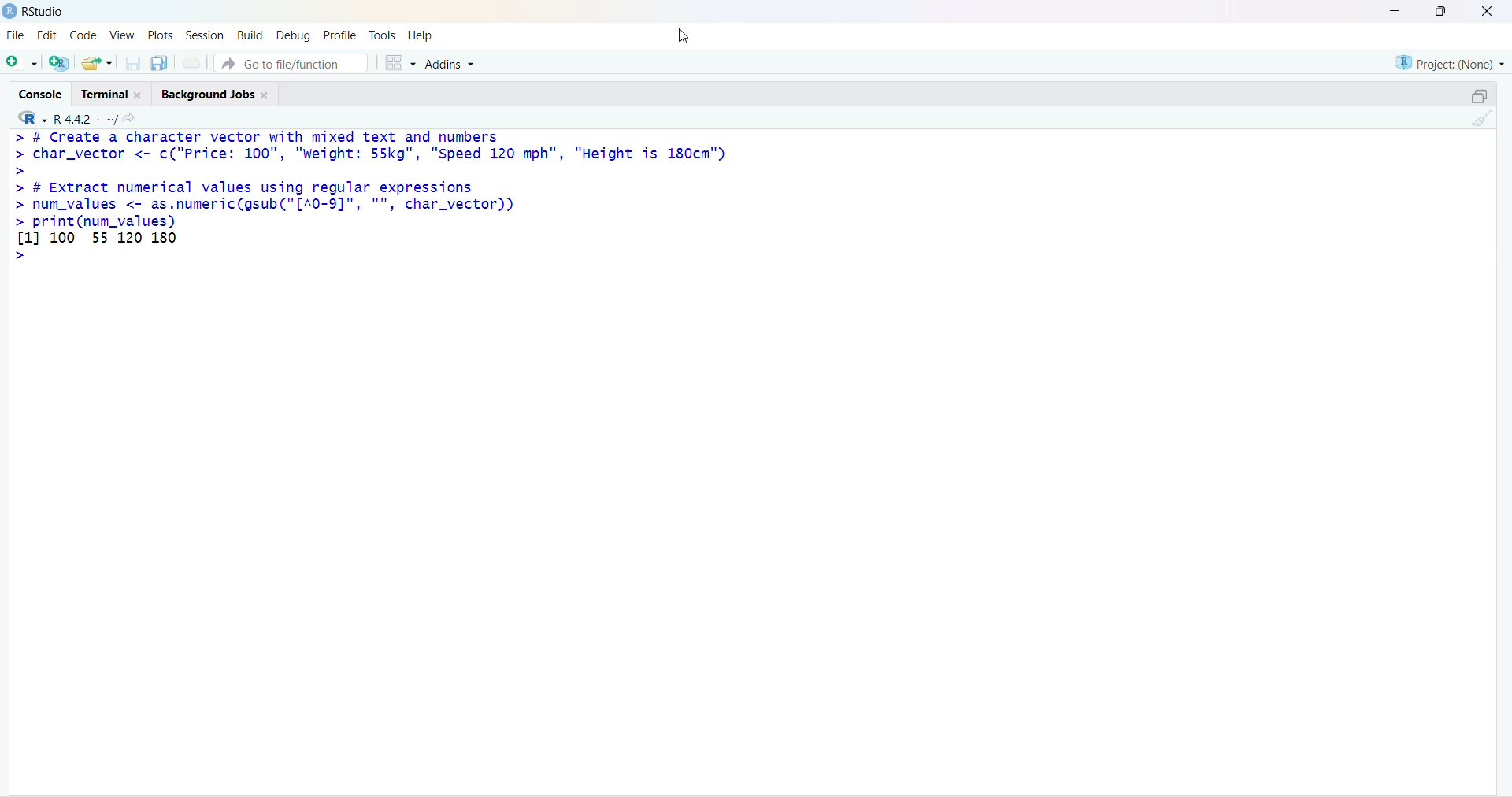  Describe the element at coordinates (161, 36) in the screenshot. I see `plots` at that location.